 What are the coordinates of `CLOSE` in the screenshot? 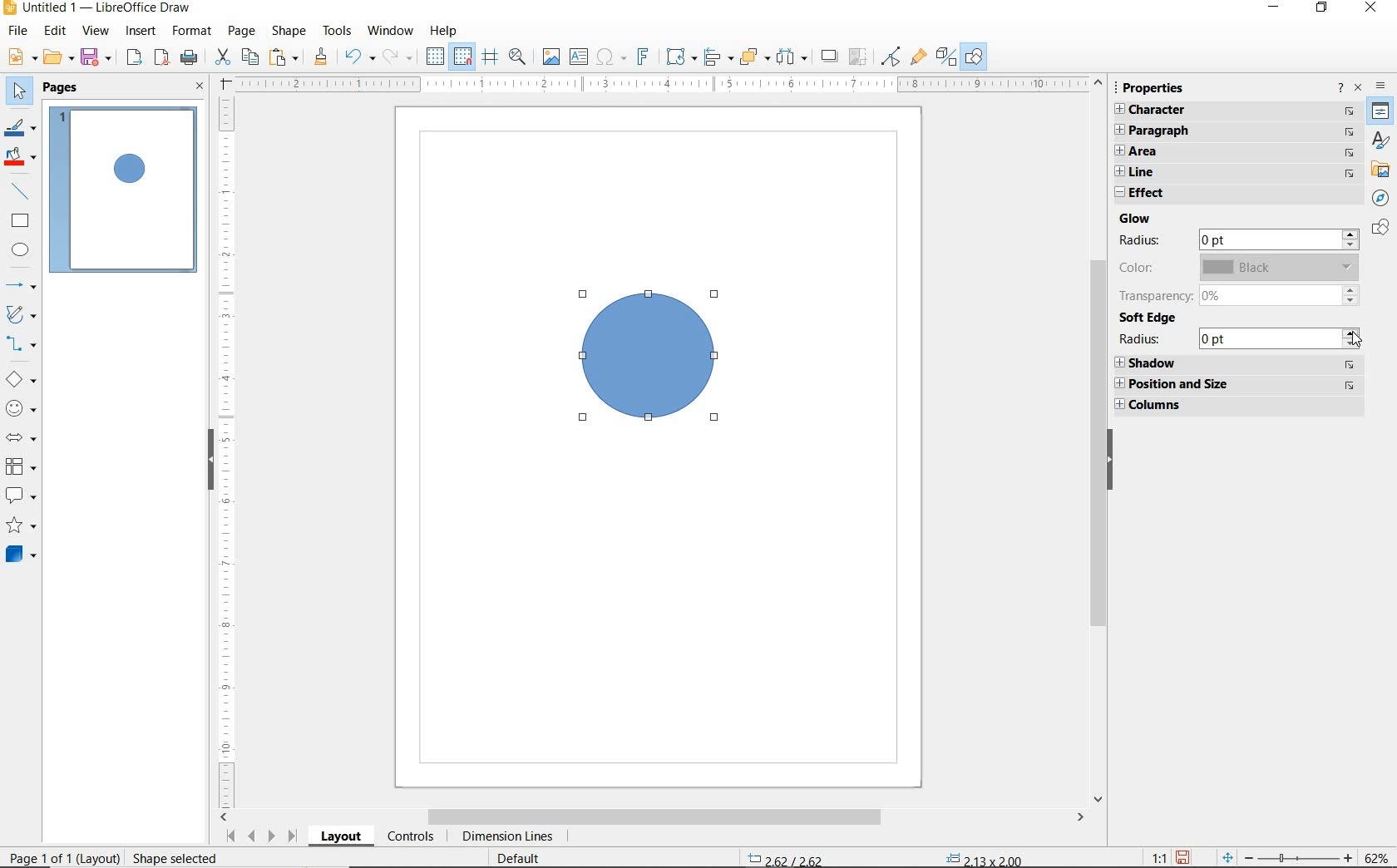 It's located at (199, 86).